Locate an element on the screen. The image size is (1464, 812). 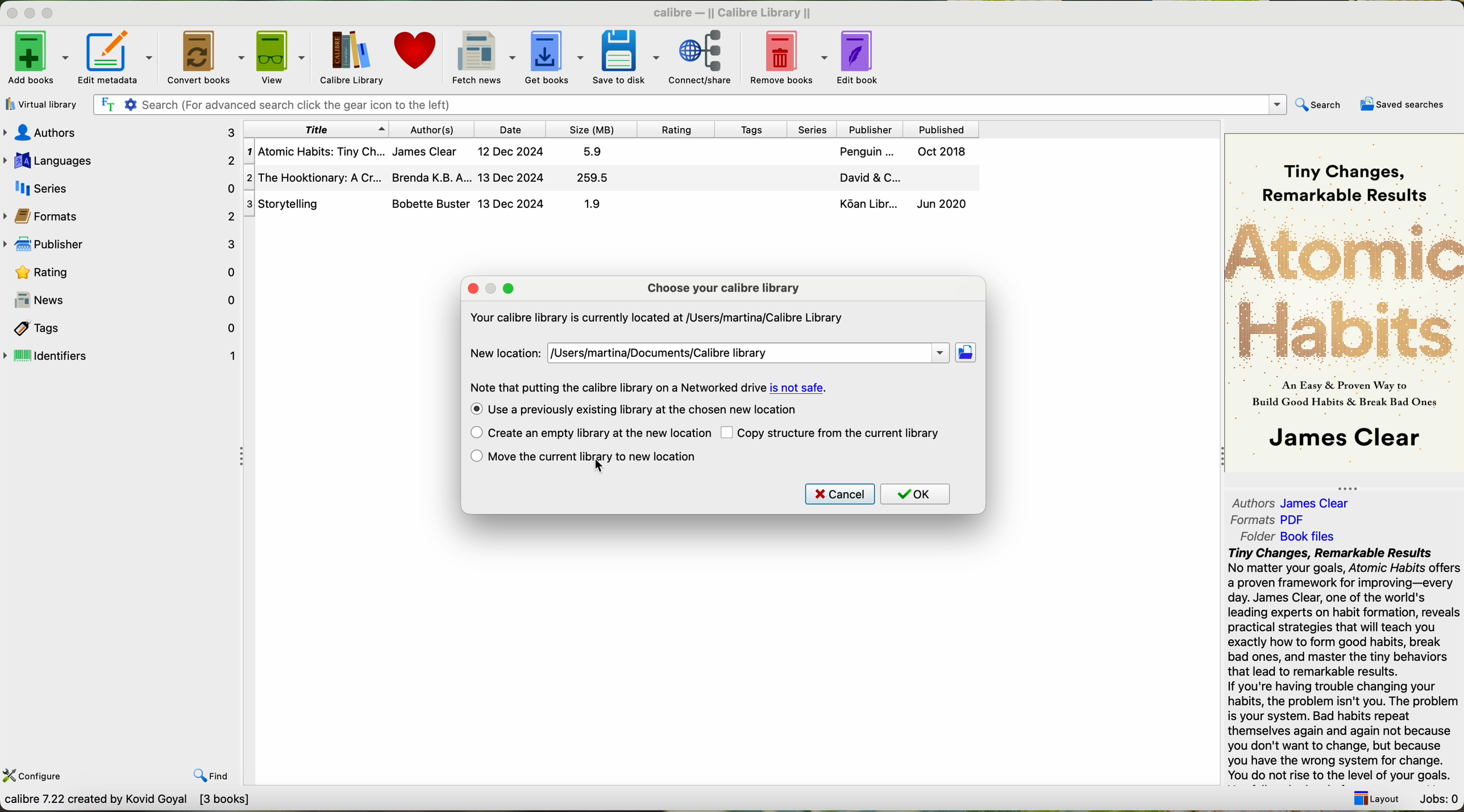
An easy proven way to build Good Habits & Break Bad Ones is located at coordinates (1342, 398).